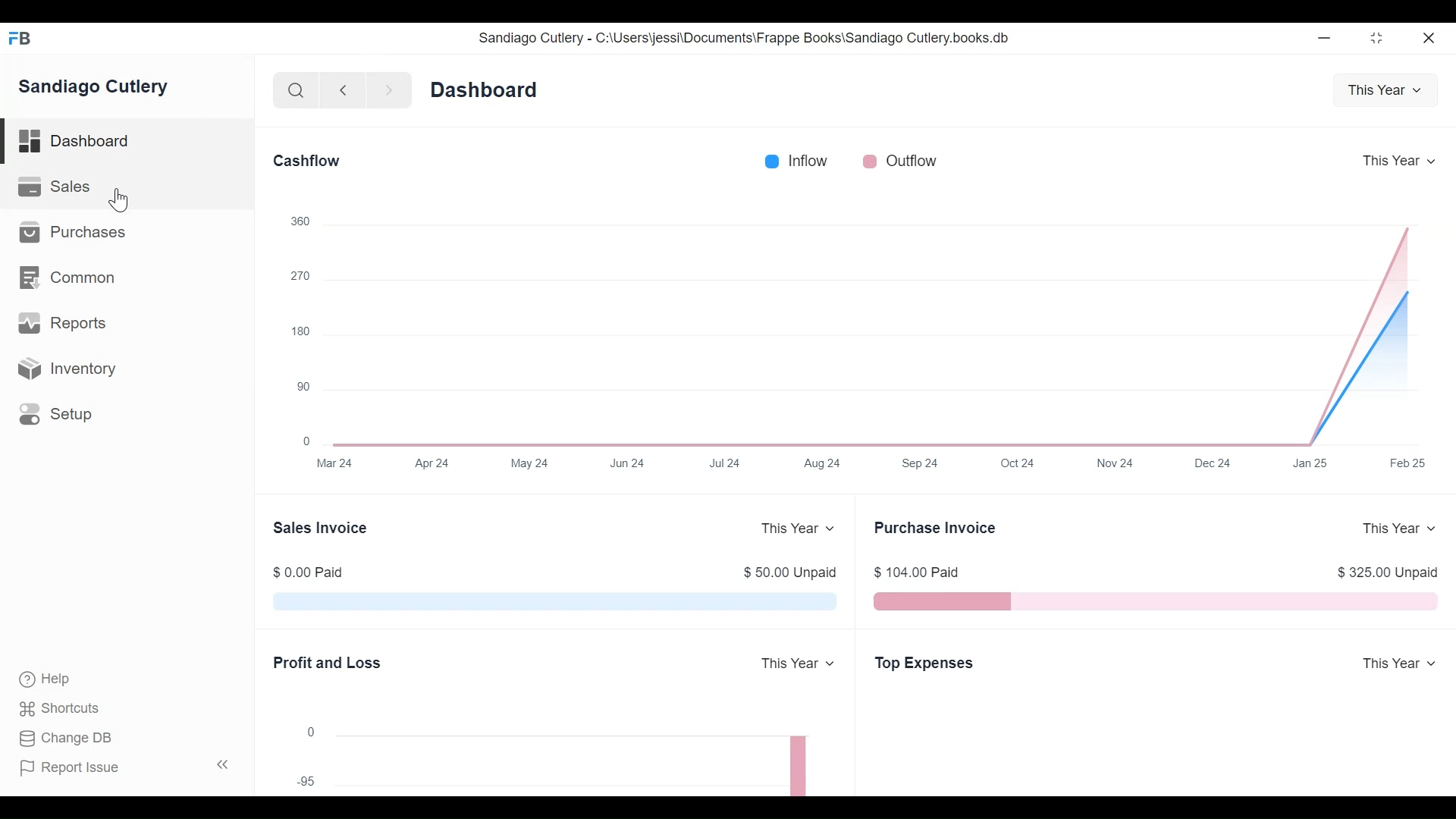 The image size is (1456, 819). I want to click on Help, so click(45, 681).